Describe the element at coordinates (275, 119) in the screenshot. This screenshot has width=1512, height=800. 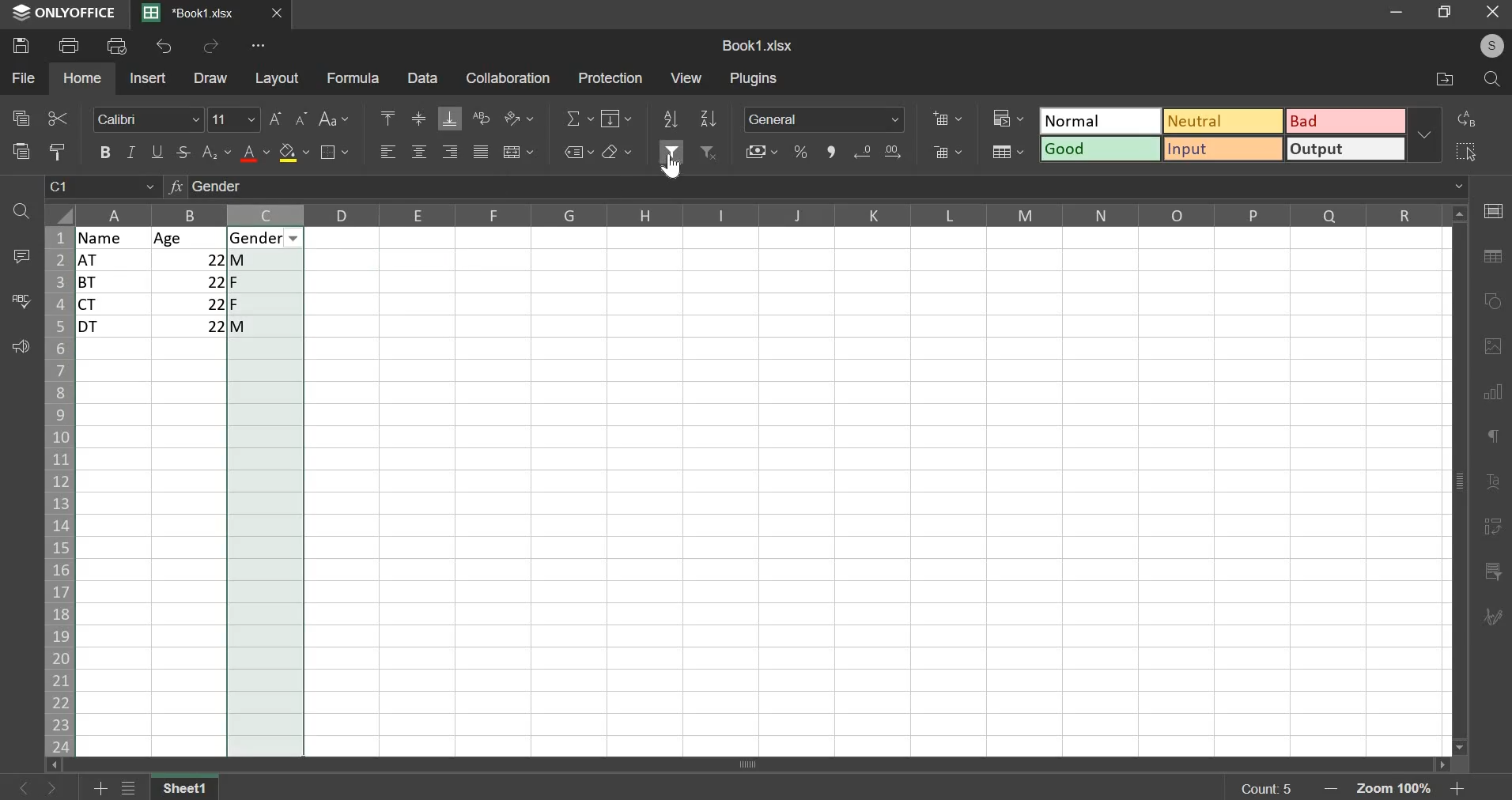
I see `font size increase` at that location.